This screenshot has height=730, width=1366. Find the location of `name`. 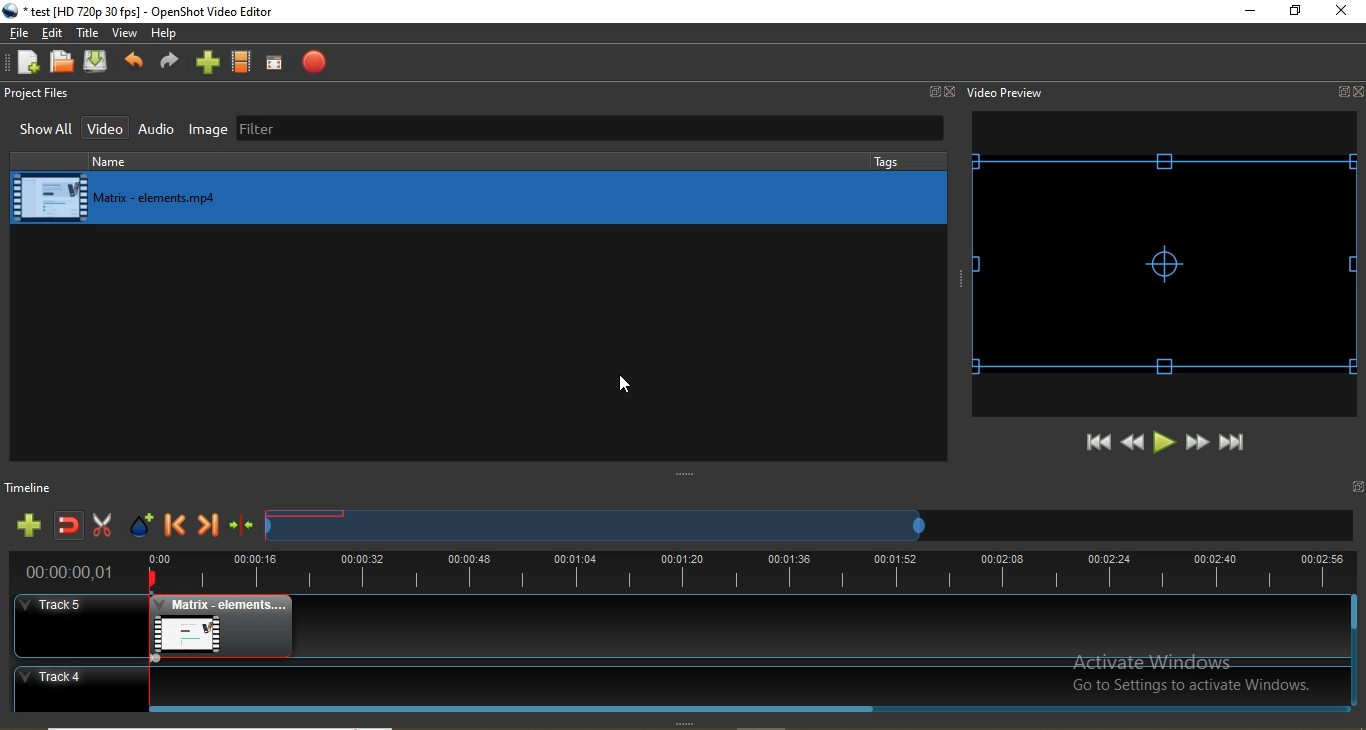

name is located at coordinates (160, 161).